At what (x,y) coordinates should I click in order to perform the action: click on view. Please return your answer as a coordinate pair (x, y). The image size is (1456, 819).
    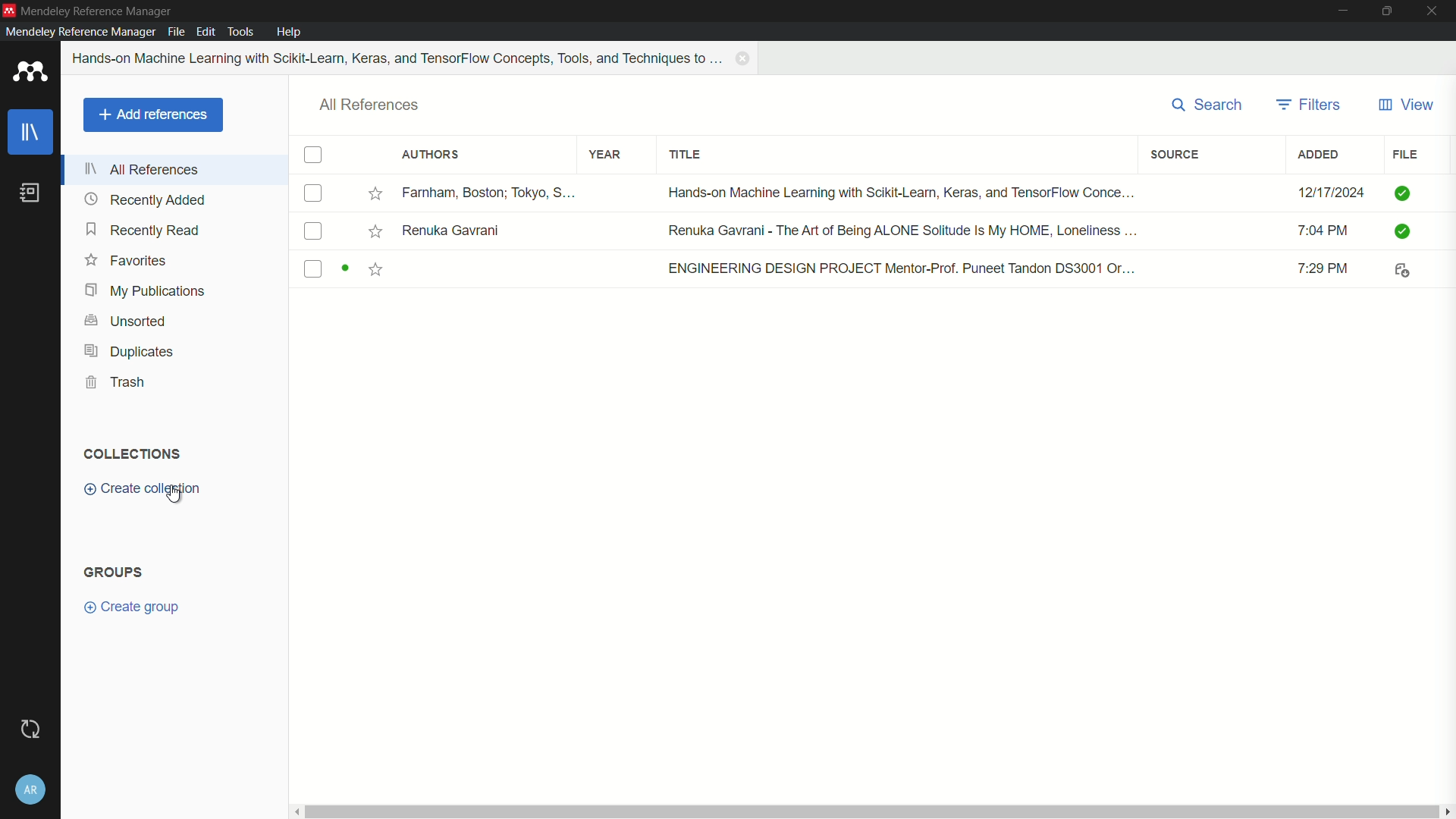
    Looking at the image, I should click on (1405, 105).